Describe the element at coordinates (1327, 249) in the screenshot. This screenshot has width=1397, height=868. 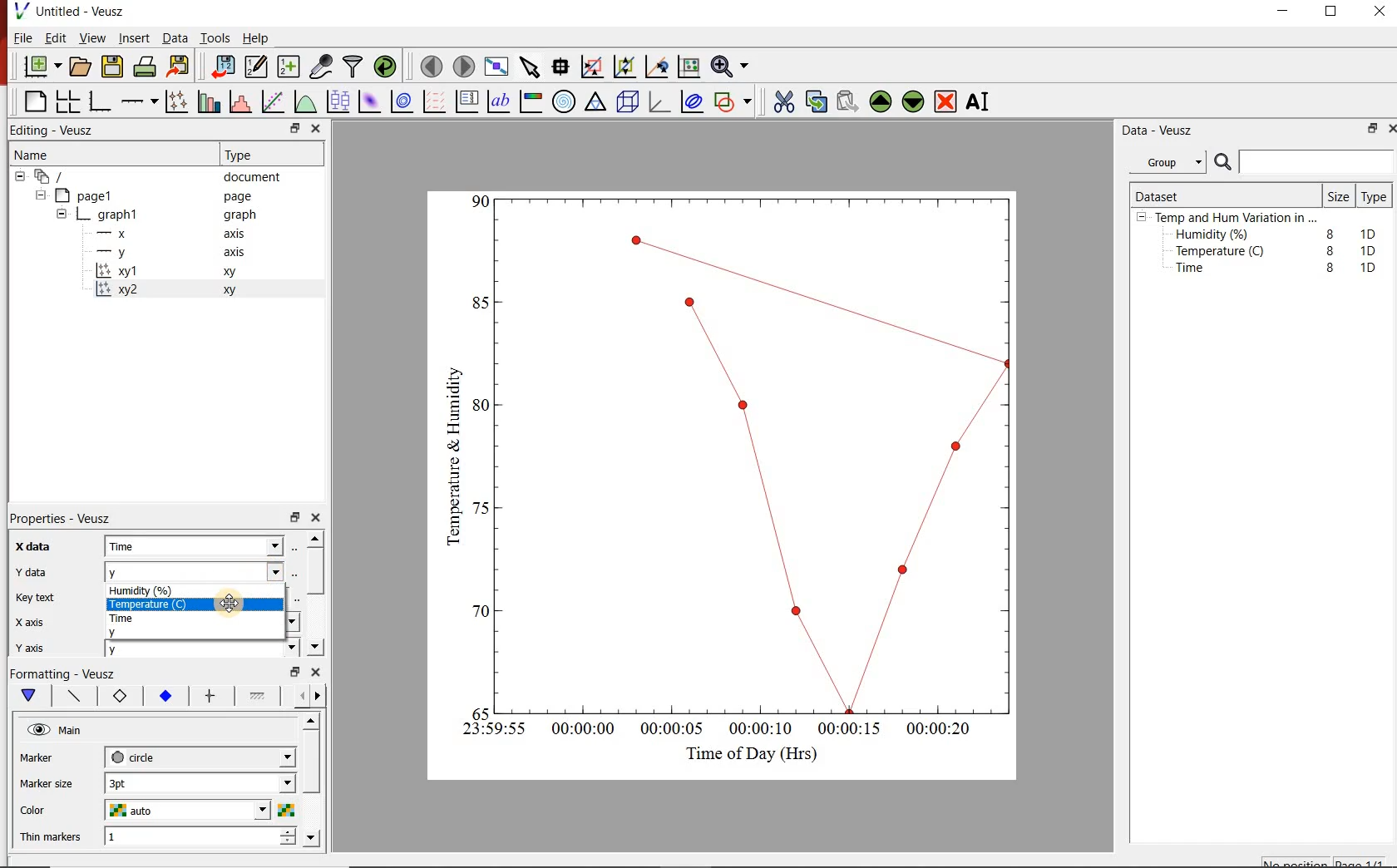
I see `8` at that location.